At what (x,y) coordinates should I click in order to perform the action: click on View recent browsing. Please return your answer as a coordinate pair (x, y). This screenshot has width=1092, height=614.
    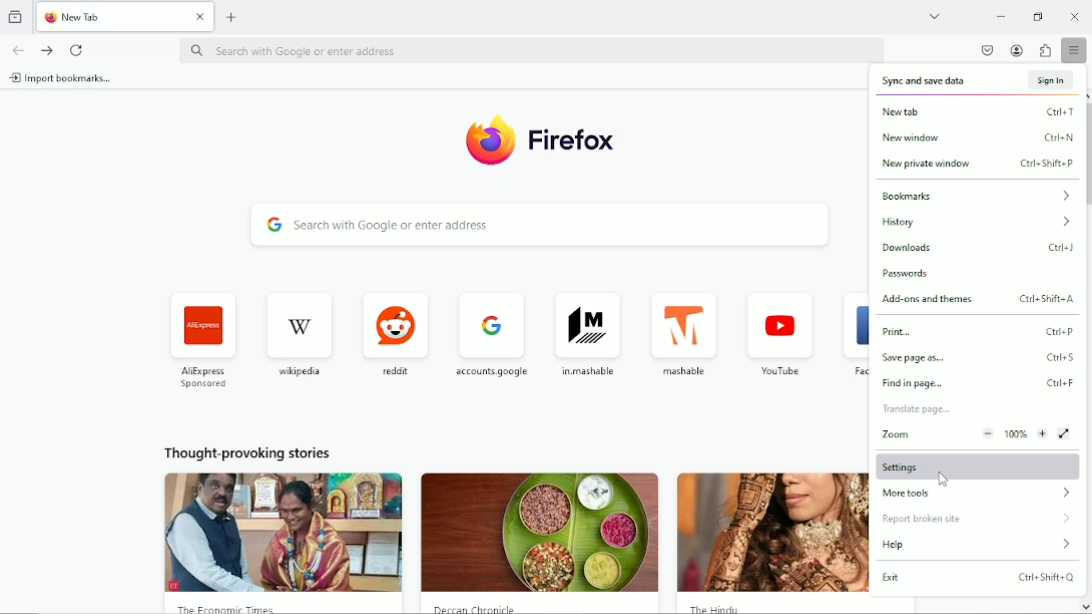
    Looking at the image, I should click on (17, 18).